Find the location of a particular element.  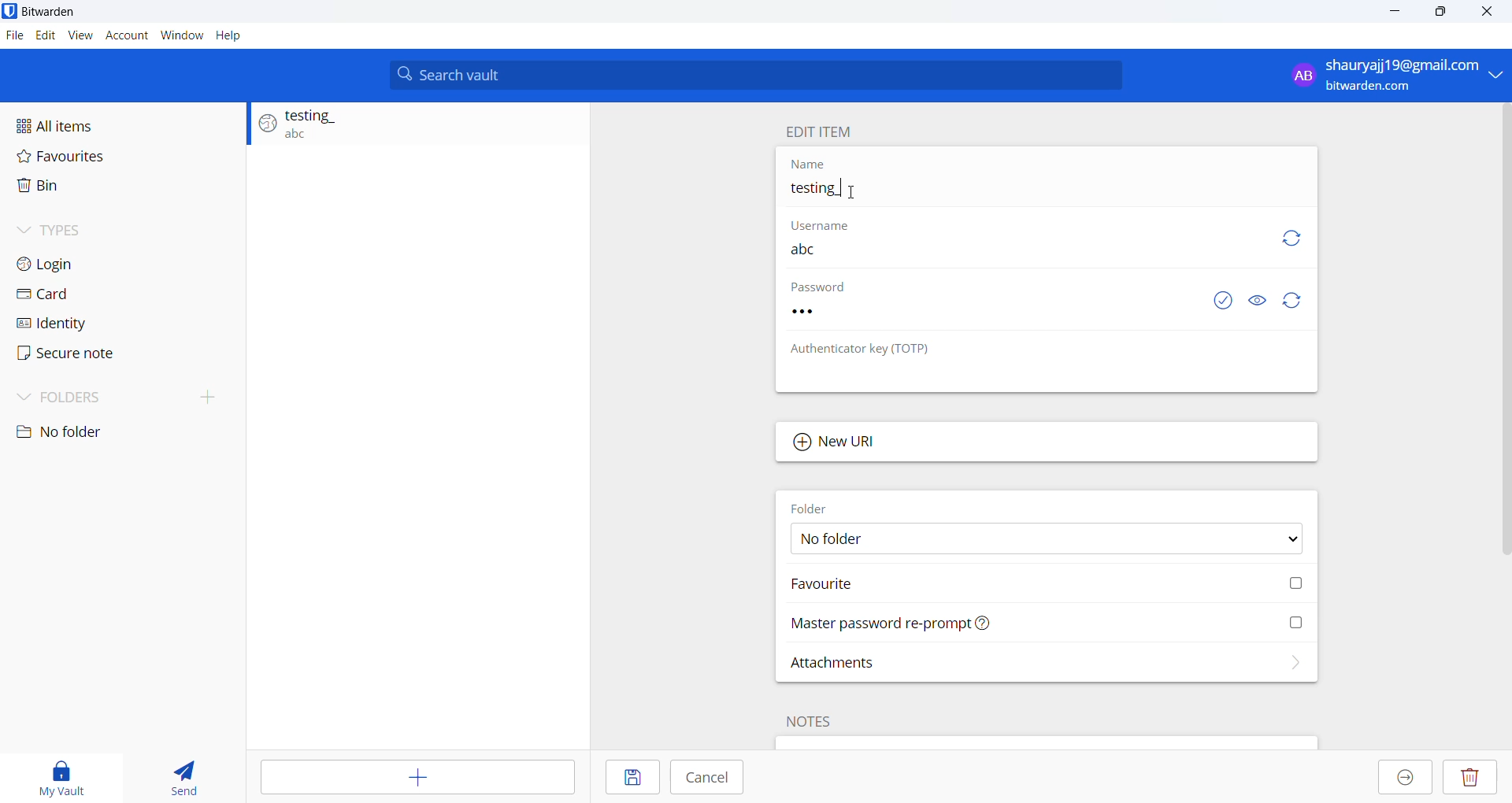

maximise is located at coordinates (1442, 15).